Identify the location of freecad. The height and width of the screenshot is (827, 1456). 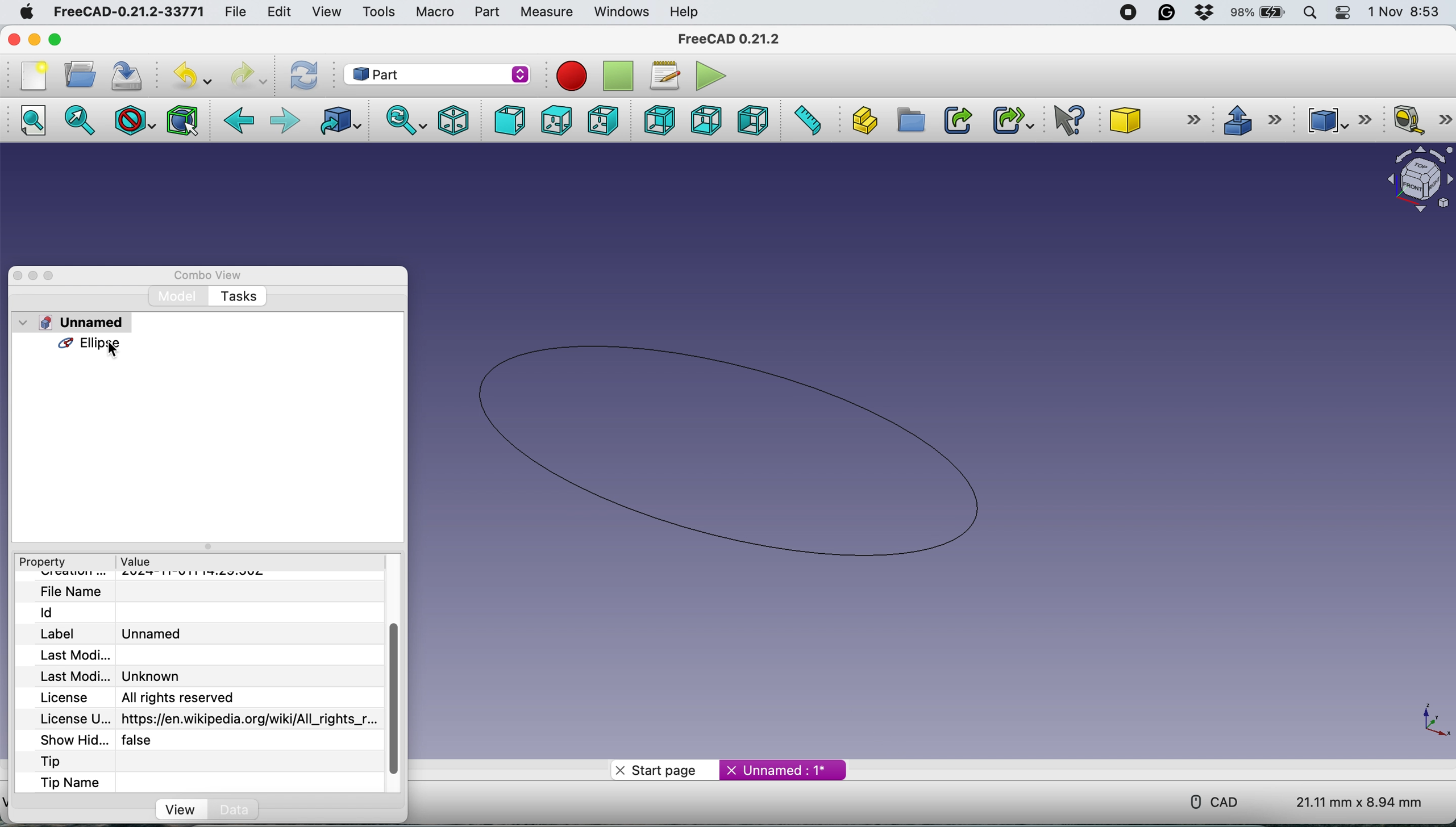
(727, 40).